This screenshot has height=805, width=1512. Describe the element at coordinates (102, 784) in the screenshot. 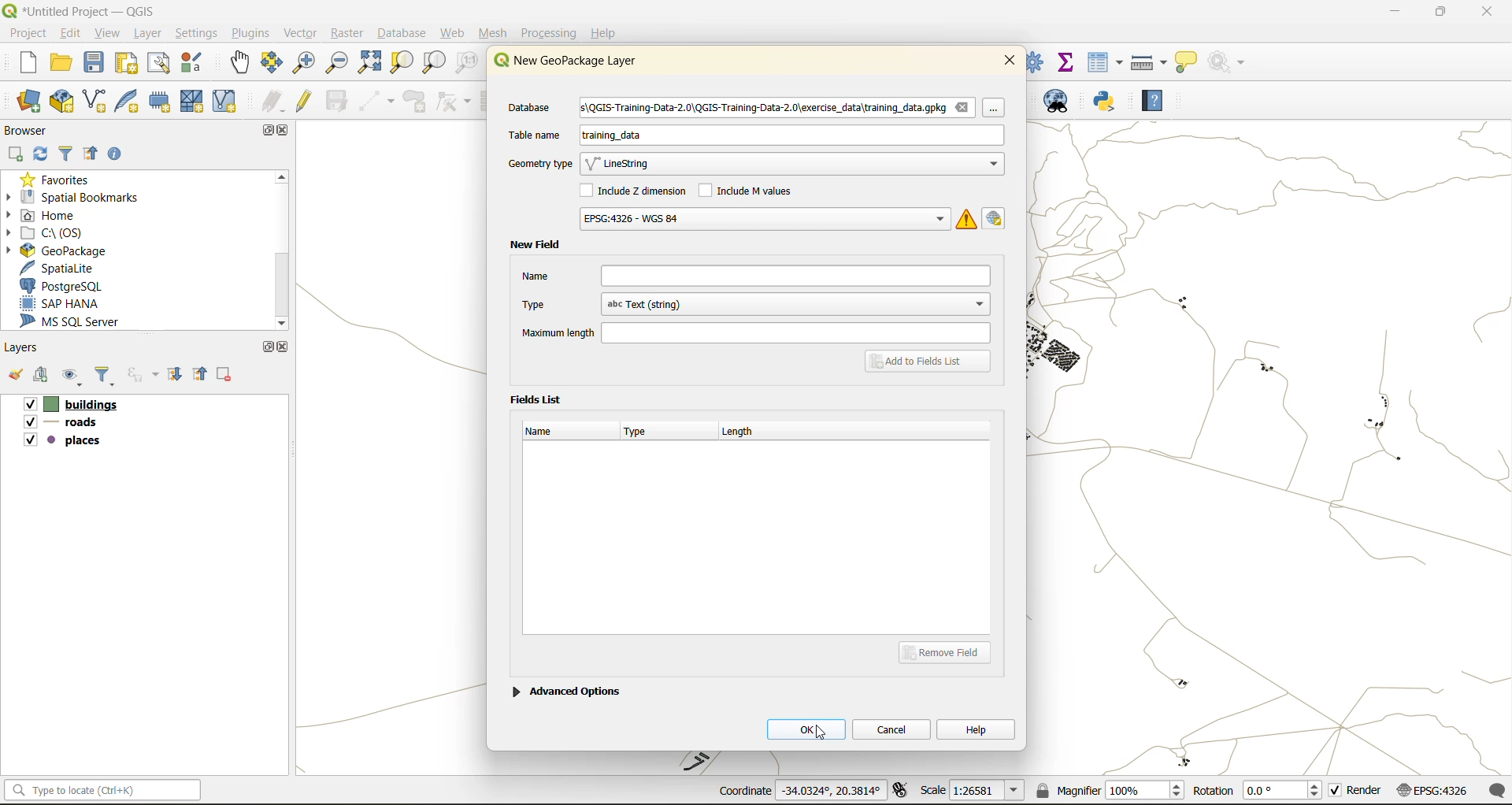

I see `Type to locate (Ctrl+K)` at that location.